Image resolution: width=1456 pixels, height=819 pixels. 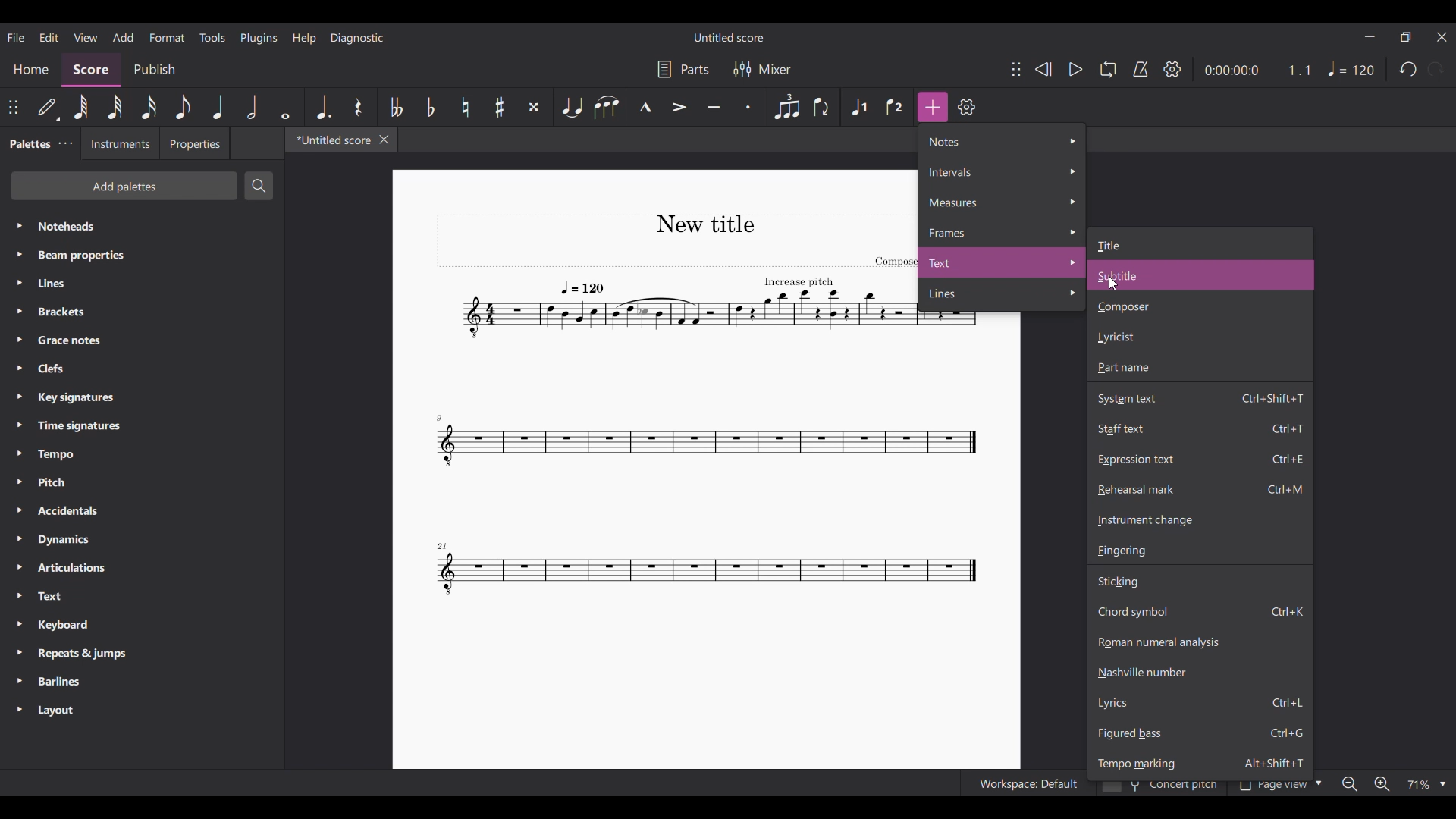 What do you see at coordinates (1043, 69) in the screenshot?
I see `Rewind` at bounding box center [1043, 69].